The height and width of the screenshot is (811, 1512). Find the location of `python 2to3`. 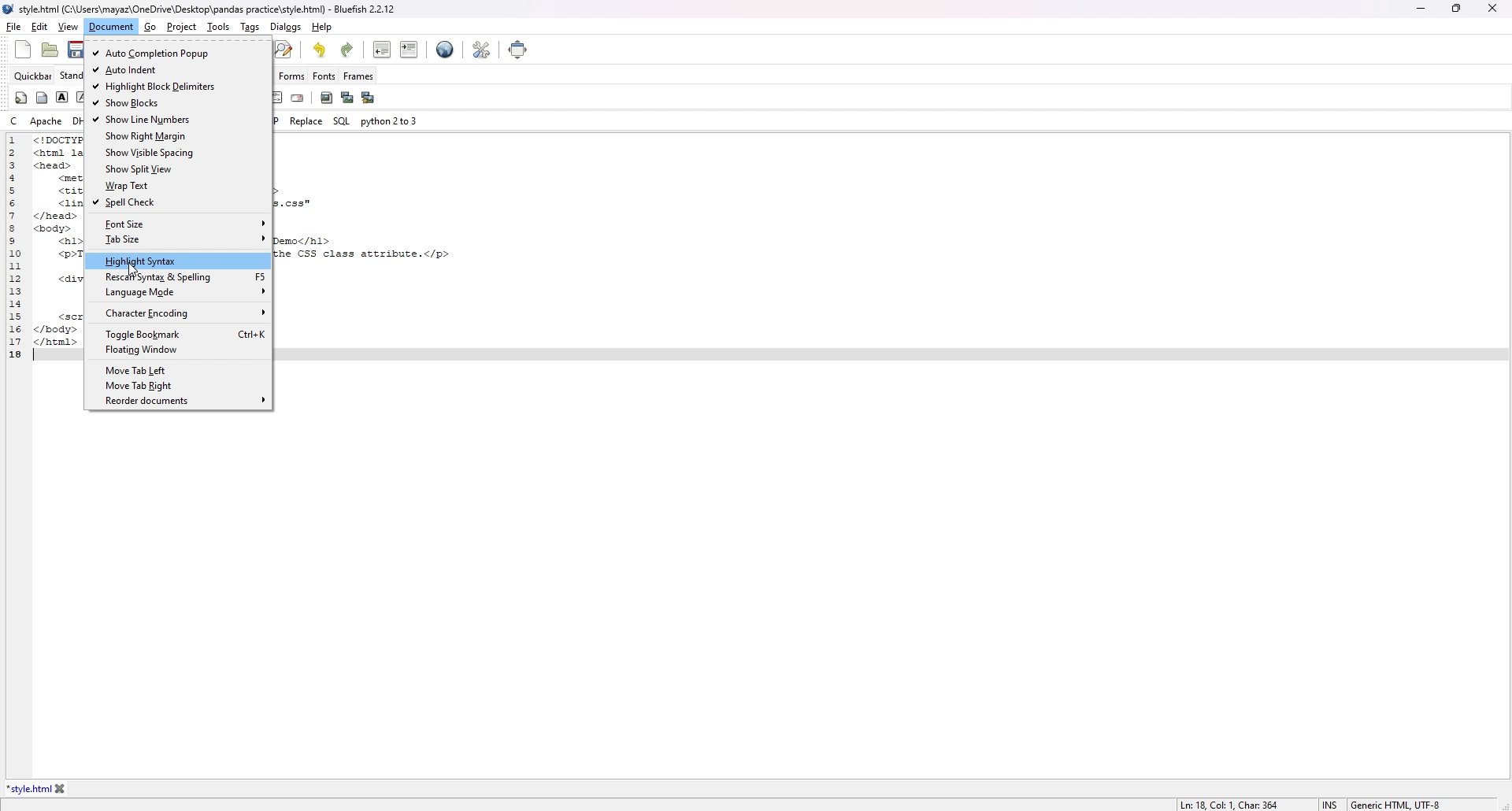

python 2to3 is located at coordinates (387, 121).